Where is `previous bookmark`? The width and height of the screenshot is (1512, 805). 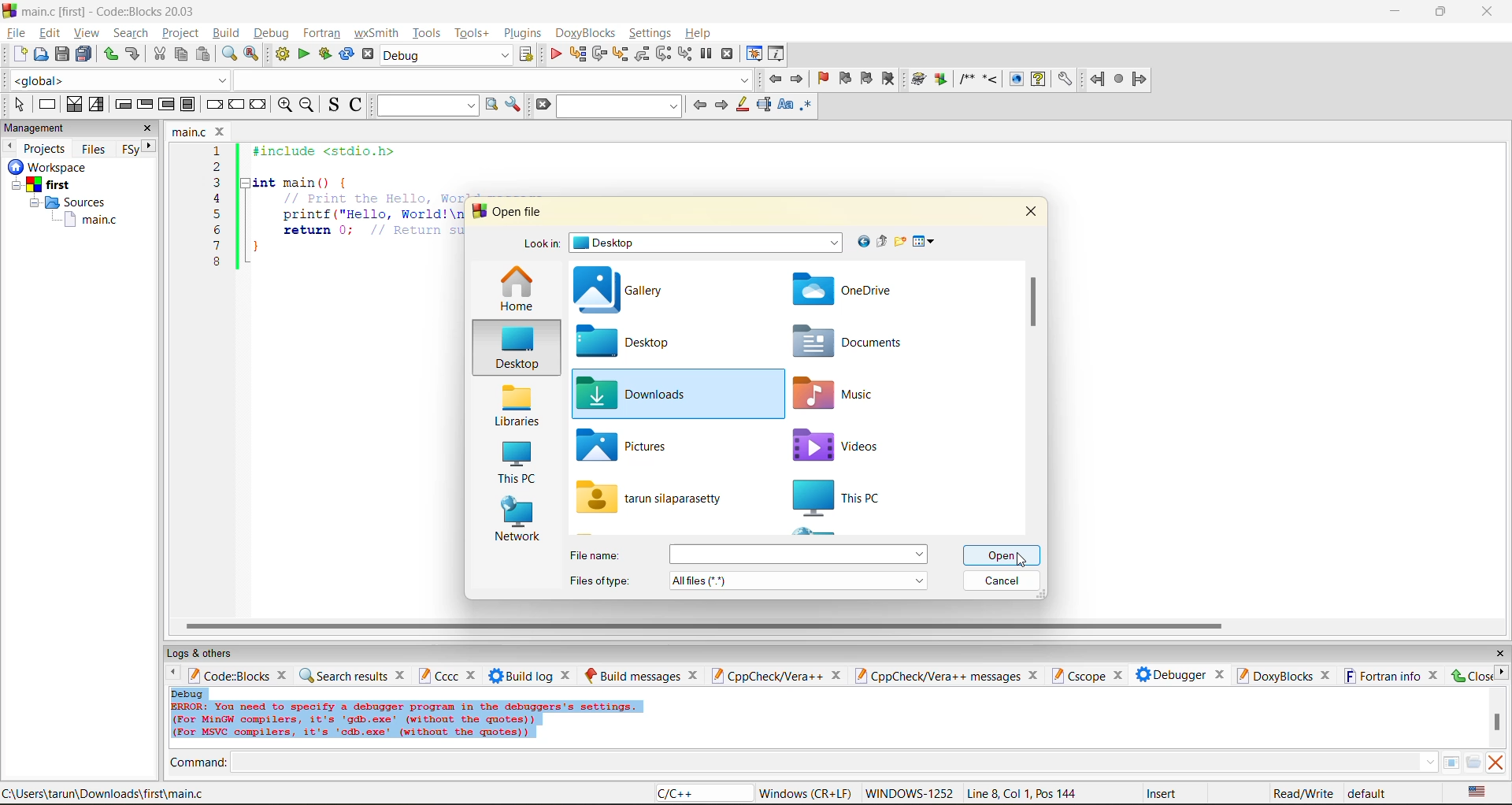 previous bookmark is located at coordinates (845, 78).